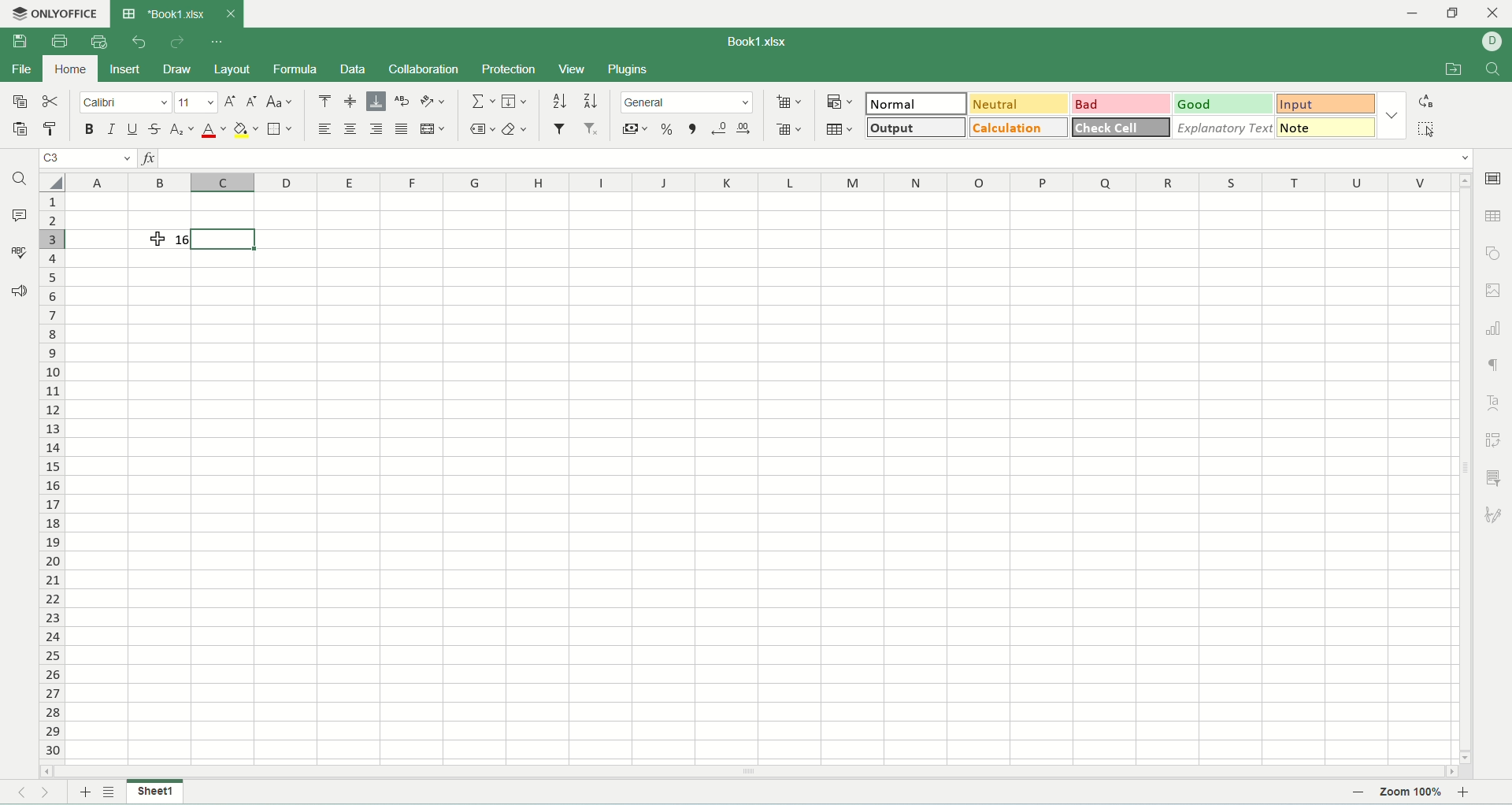 The width and height of the screenshot is (1512, 805). What do you see at coordinates (1494, 70) in the screenshot?
I see `find` at bounding box center [1494, 70].